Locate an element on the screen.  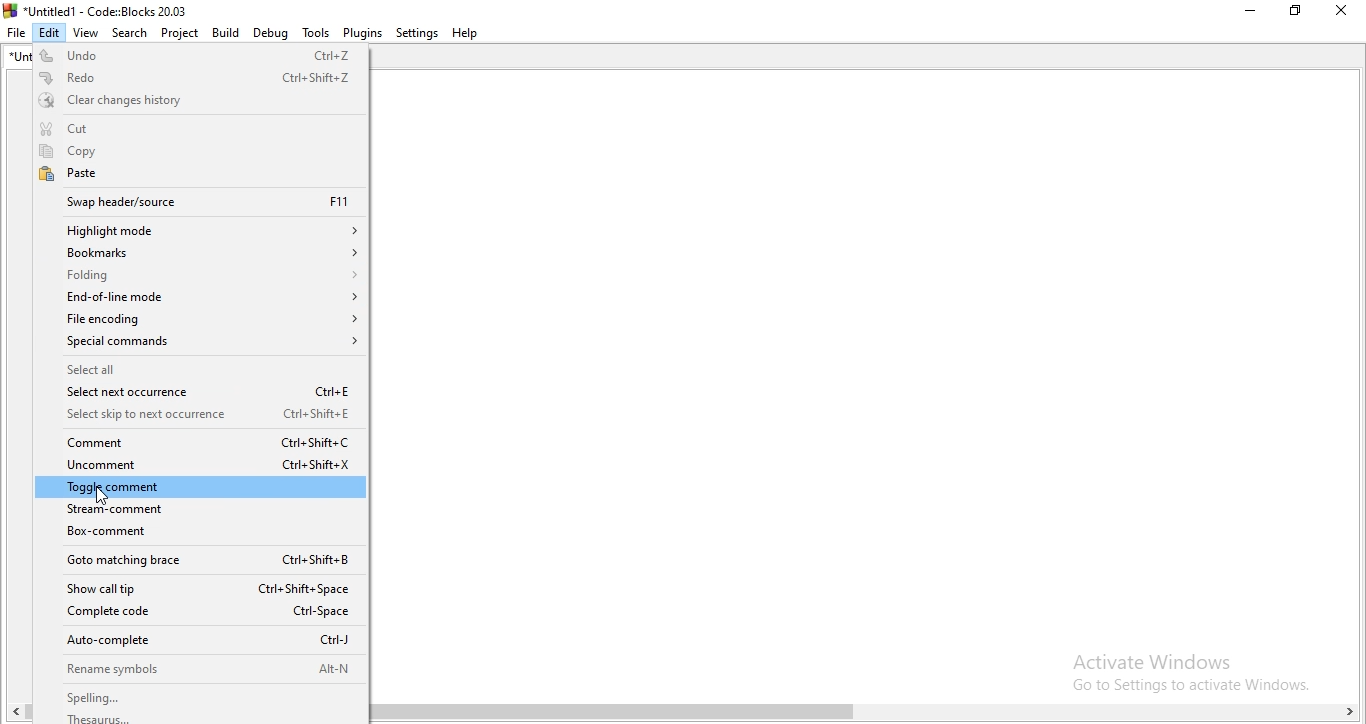
Restore is located at coordinates (1294, 12).